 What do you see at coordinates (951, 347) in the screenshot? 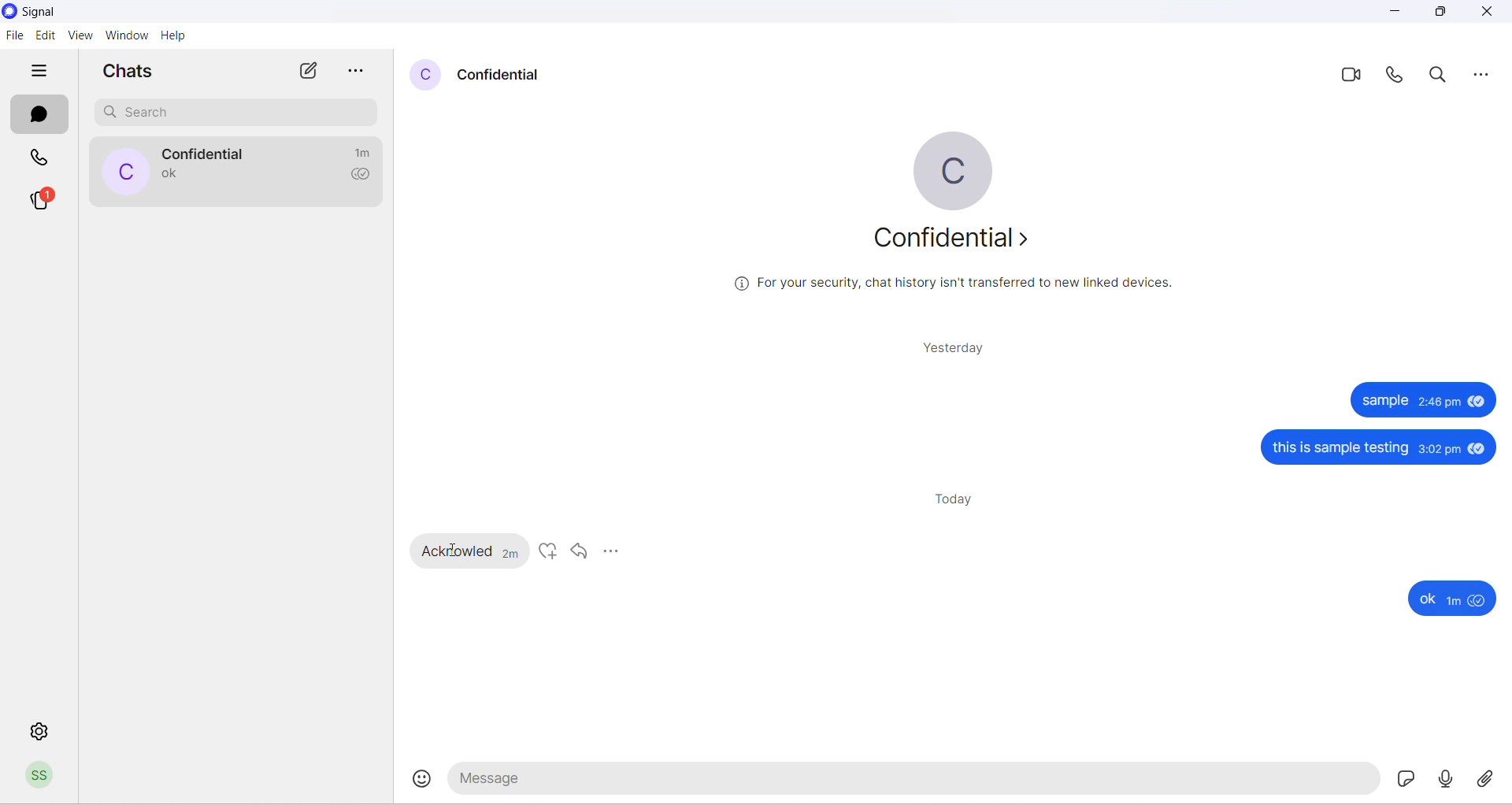
I see `yesterday heading` at bounding box center [951, 347].